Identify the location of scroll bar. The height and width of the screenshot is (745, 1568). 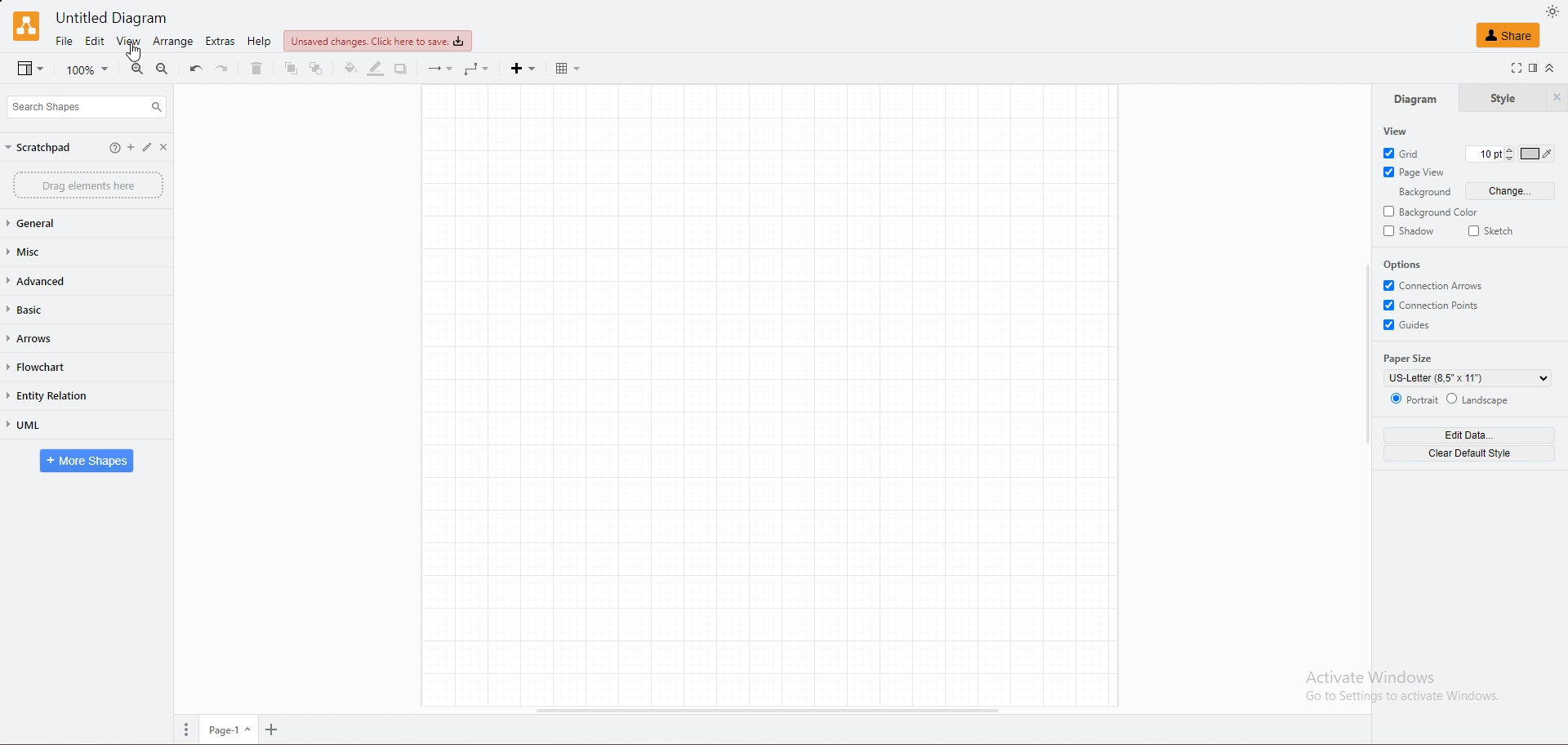
(1365, 355).